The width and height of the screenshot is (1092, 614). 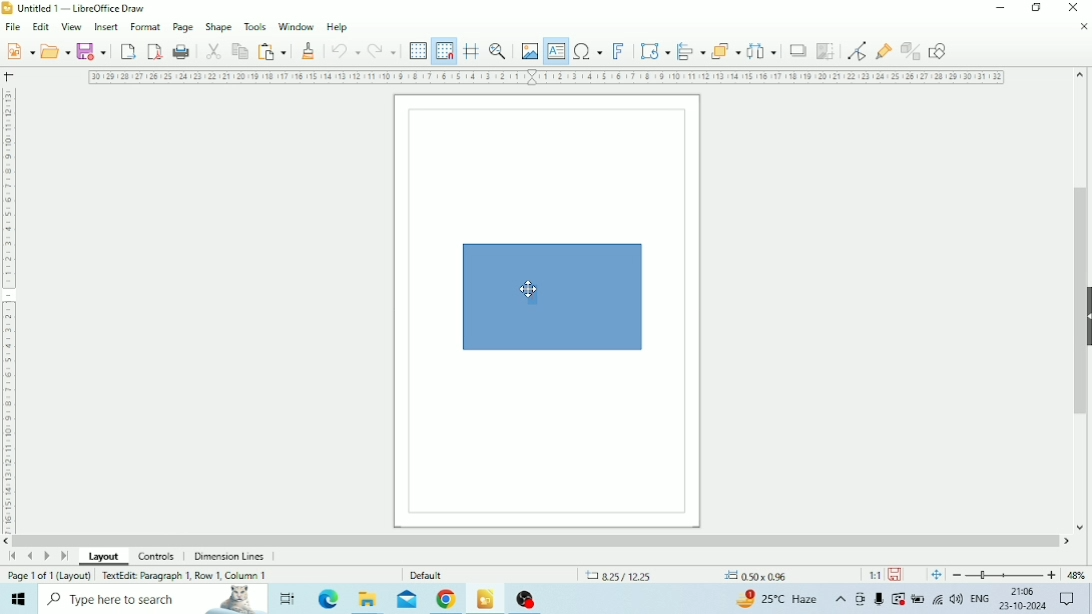 What do you see at coordinates (690, 51) in the screenshot?
I see `Align objects` at bounding box center [690, 51].